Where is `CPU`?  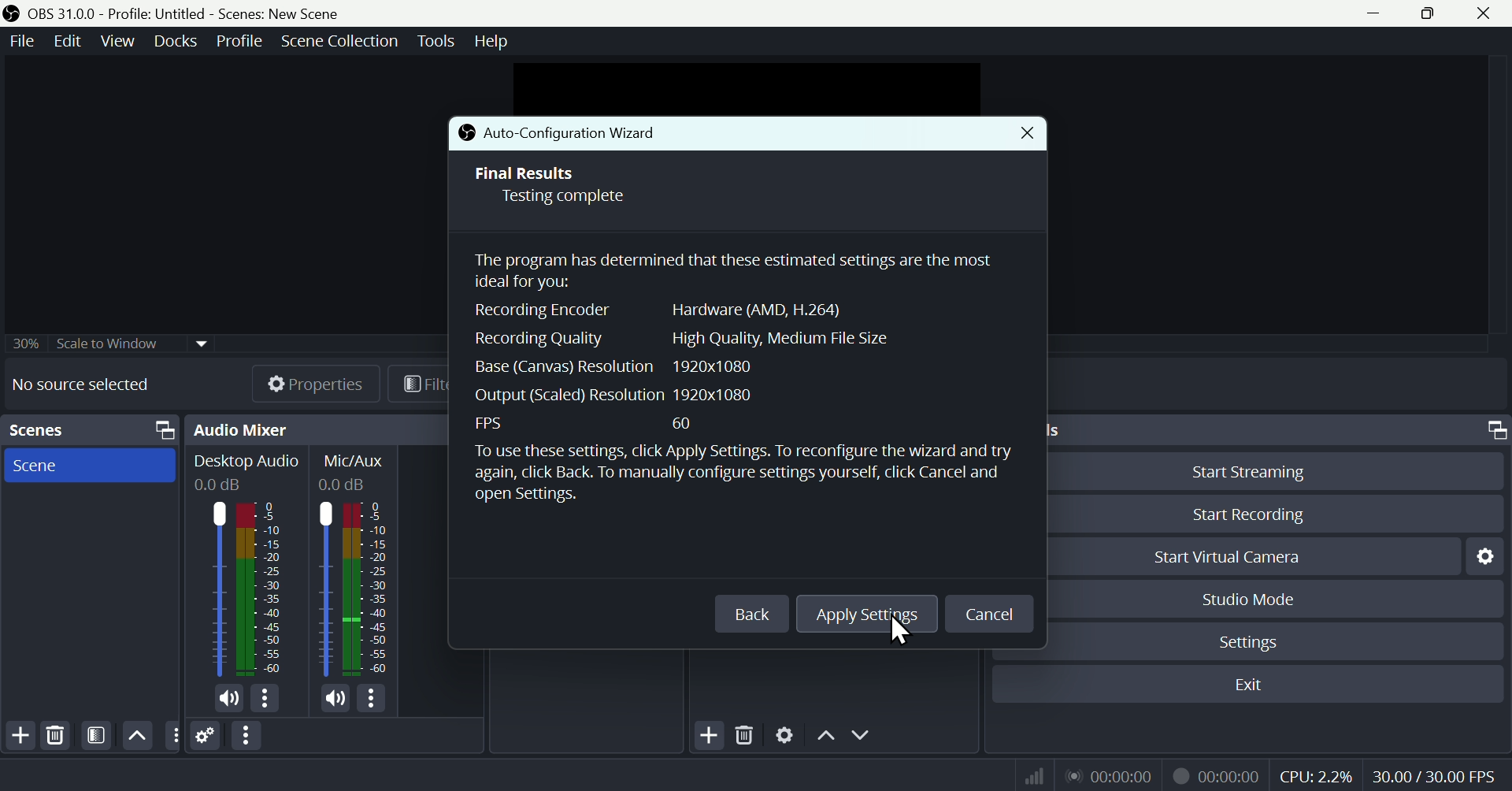
CPU is located at coordinates (1315, 774).